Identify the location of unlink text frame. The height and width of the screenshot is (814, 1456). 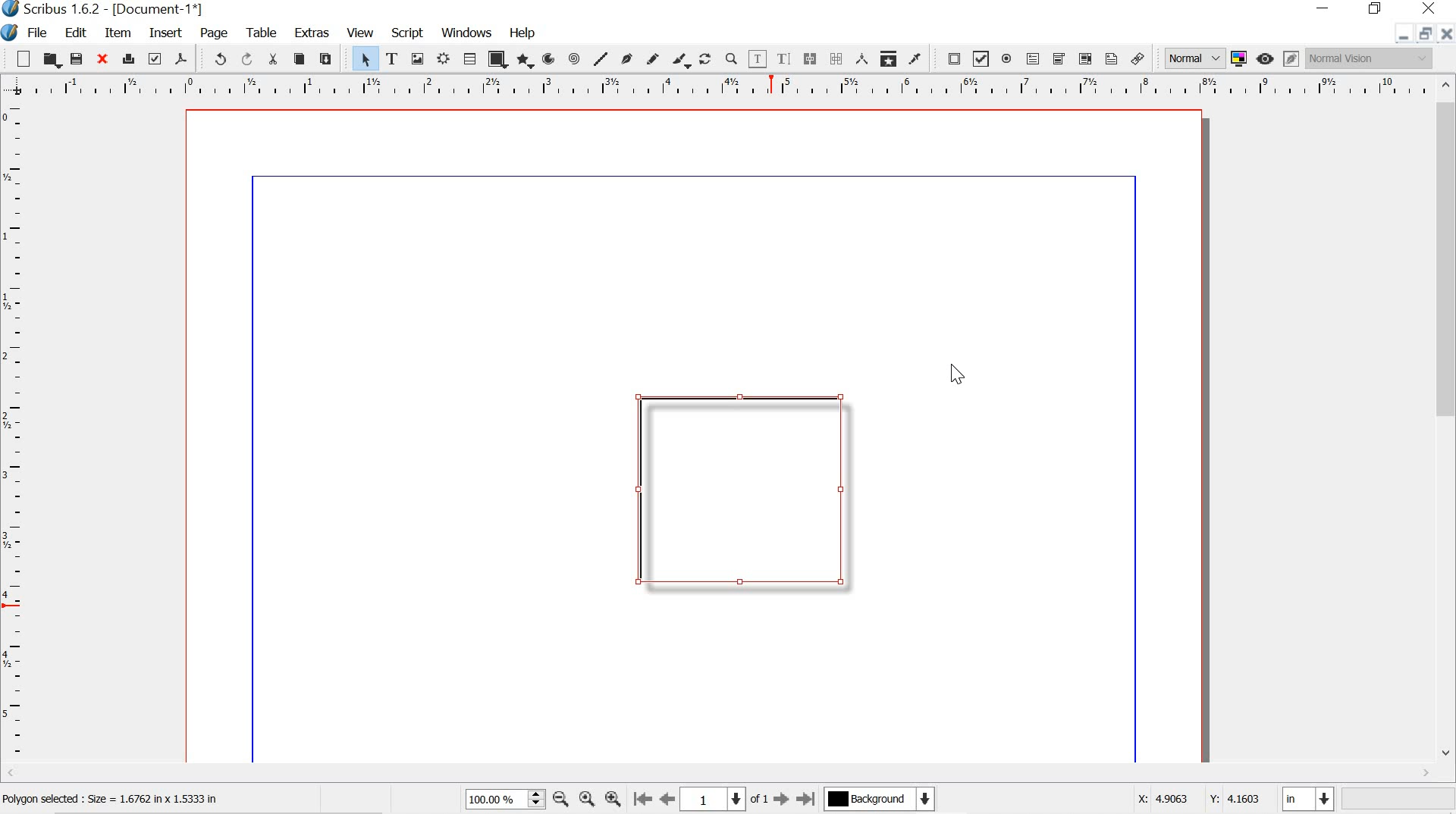
(836, 58).